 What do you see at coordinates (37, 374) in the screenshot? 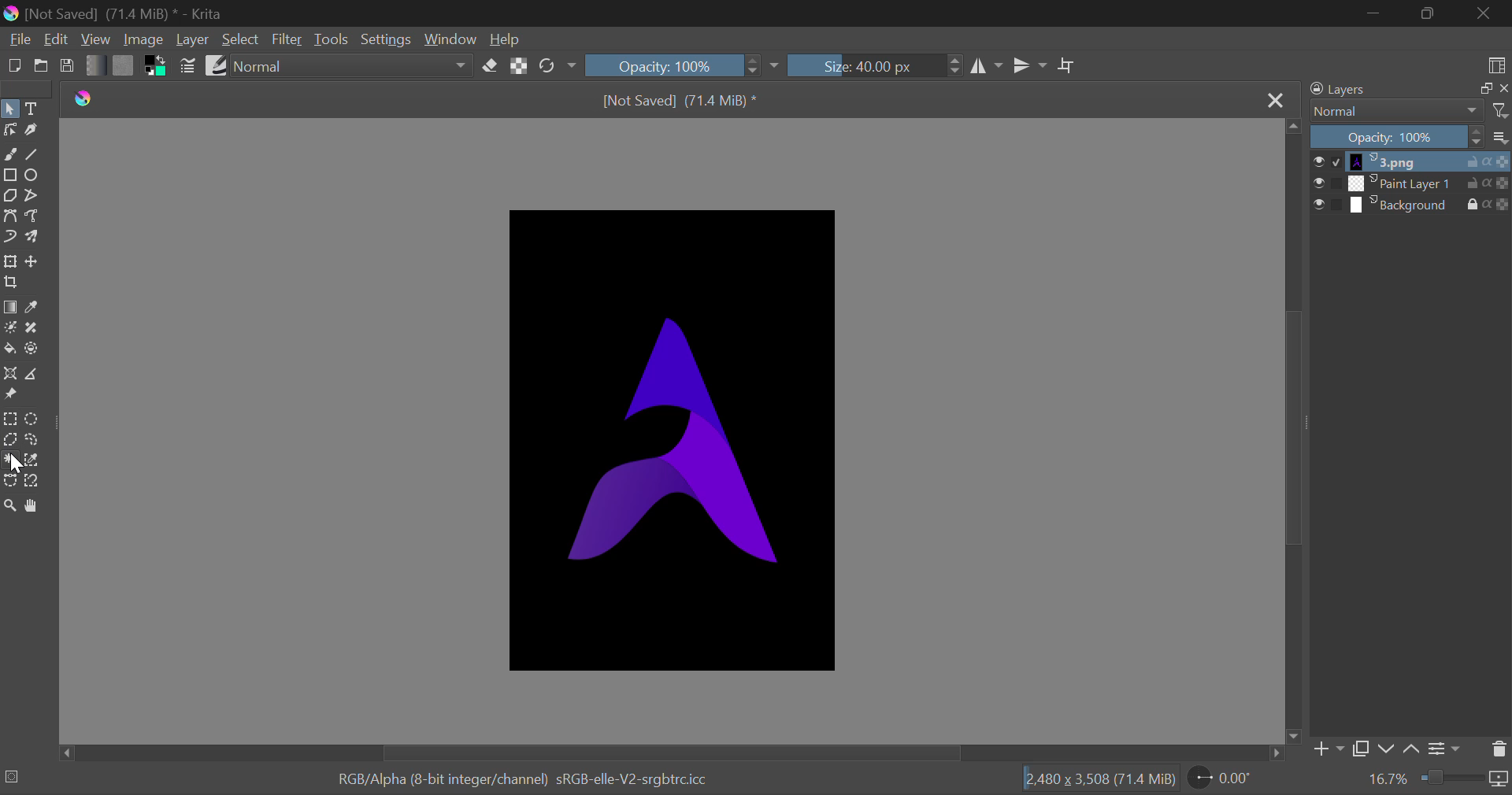
I see `Measurements` at bounding box center [37, 374].